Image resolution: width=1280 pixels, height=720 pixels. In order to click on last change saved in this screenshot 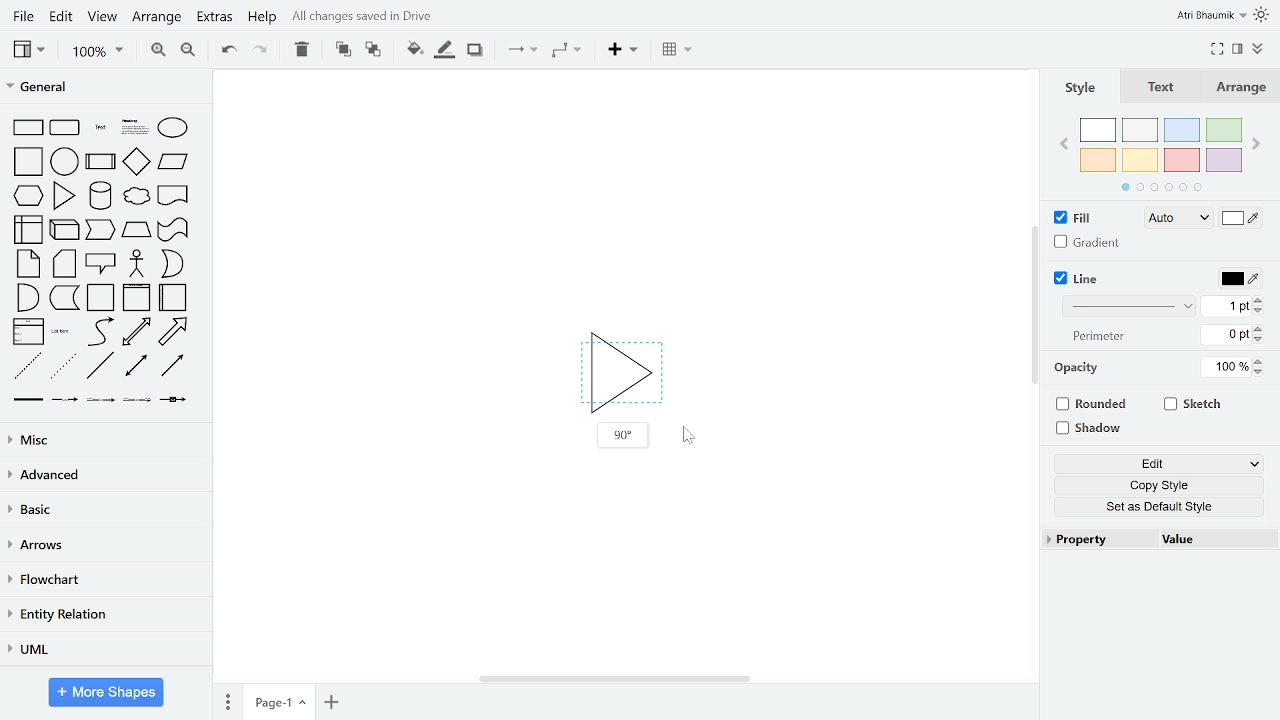, I will do `click(386, 17)`.